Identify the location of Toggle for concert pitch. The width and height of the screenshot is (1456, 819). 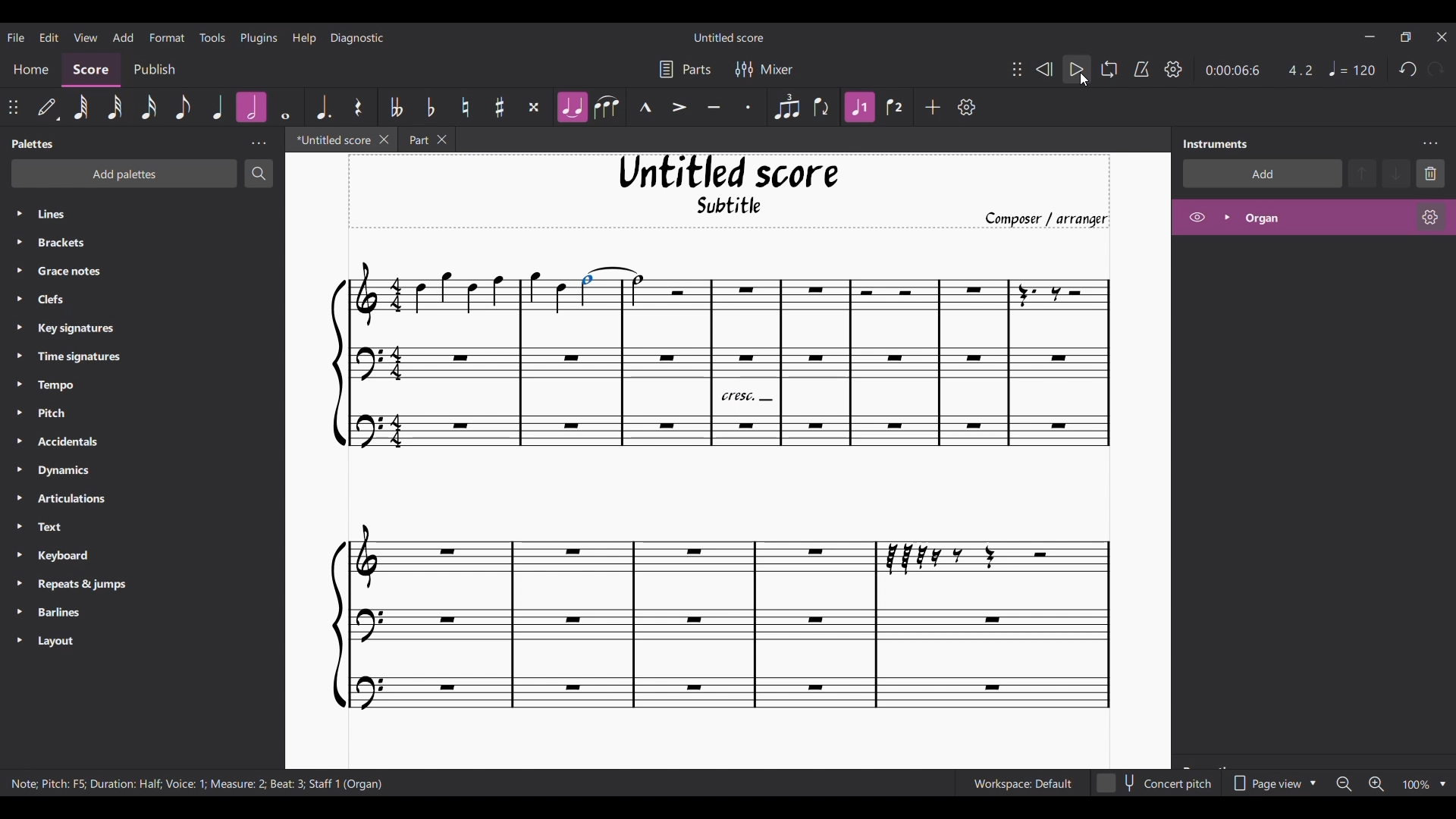
(1155, 783).